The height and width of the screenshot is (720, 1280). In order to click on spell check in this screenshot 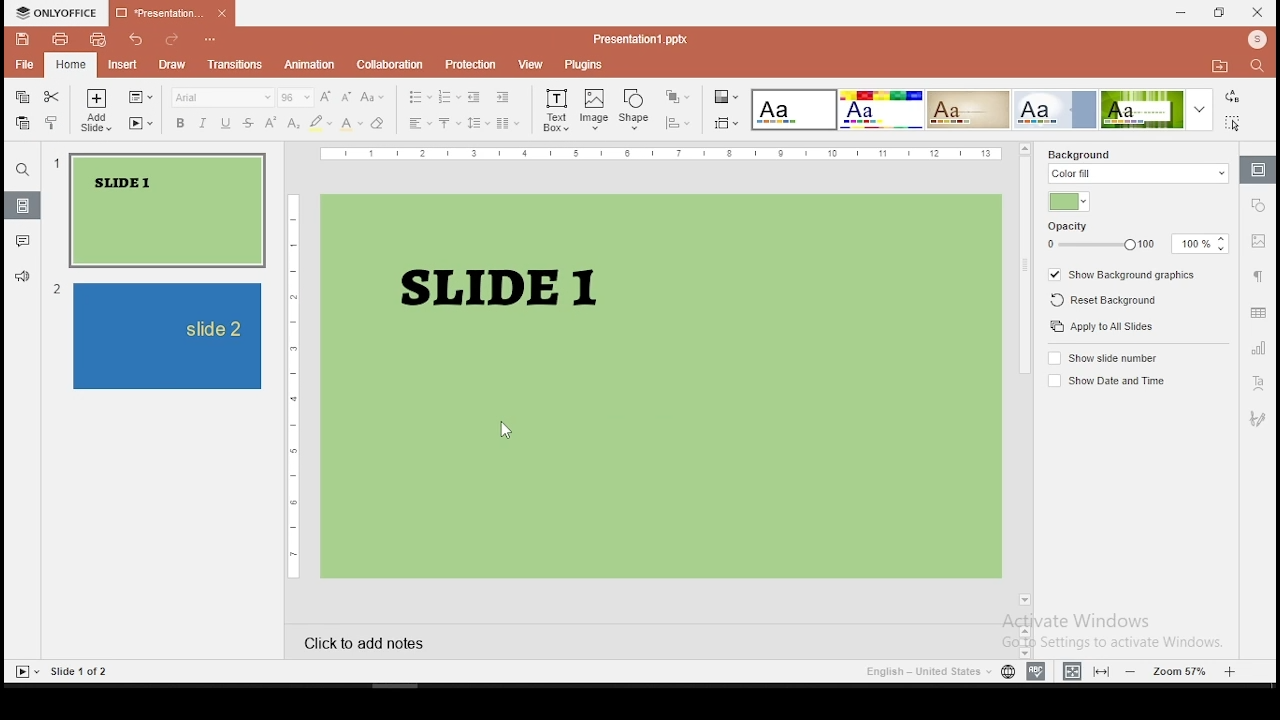, I will do `click(1036, 669)`.